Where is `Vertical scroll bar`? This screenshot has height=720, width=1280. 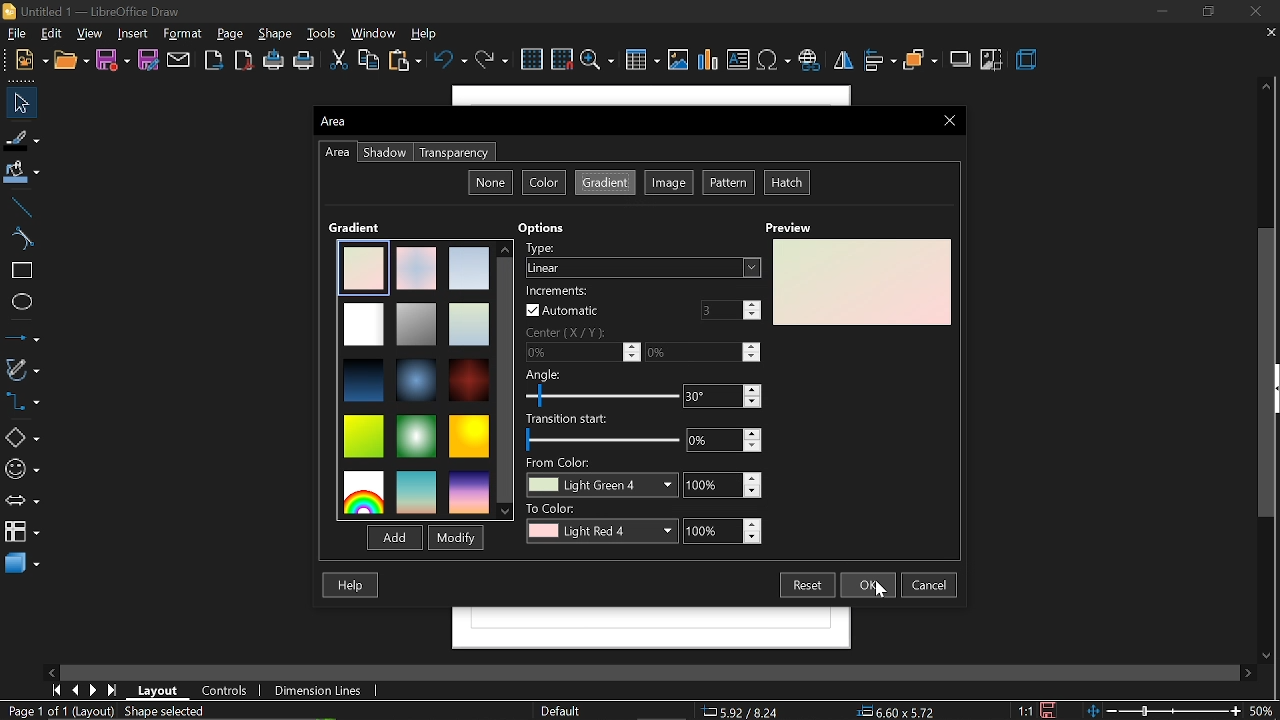
Vertical scroll bar is located at coordinates (1264, 385).